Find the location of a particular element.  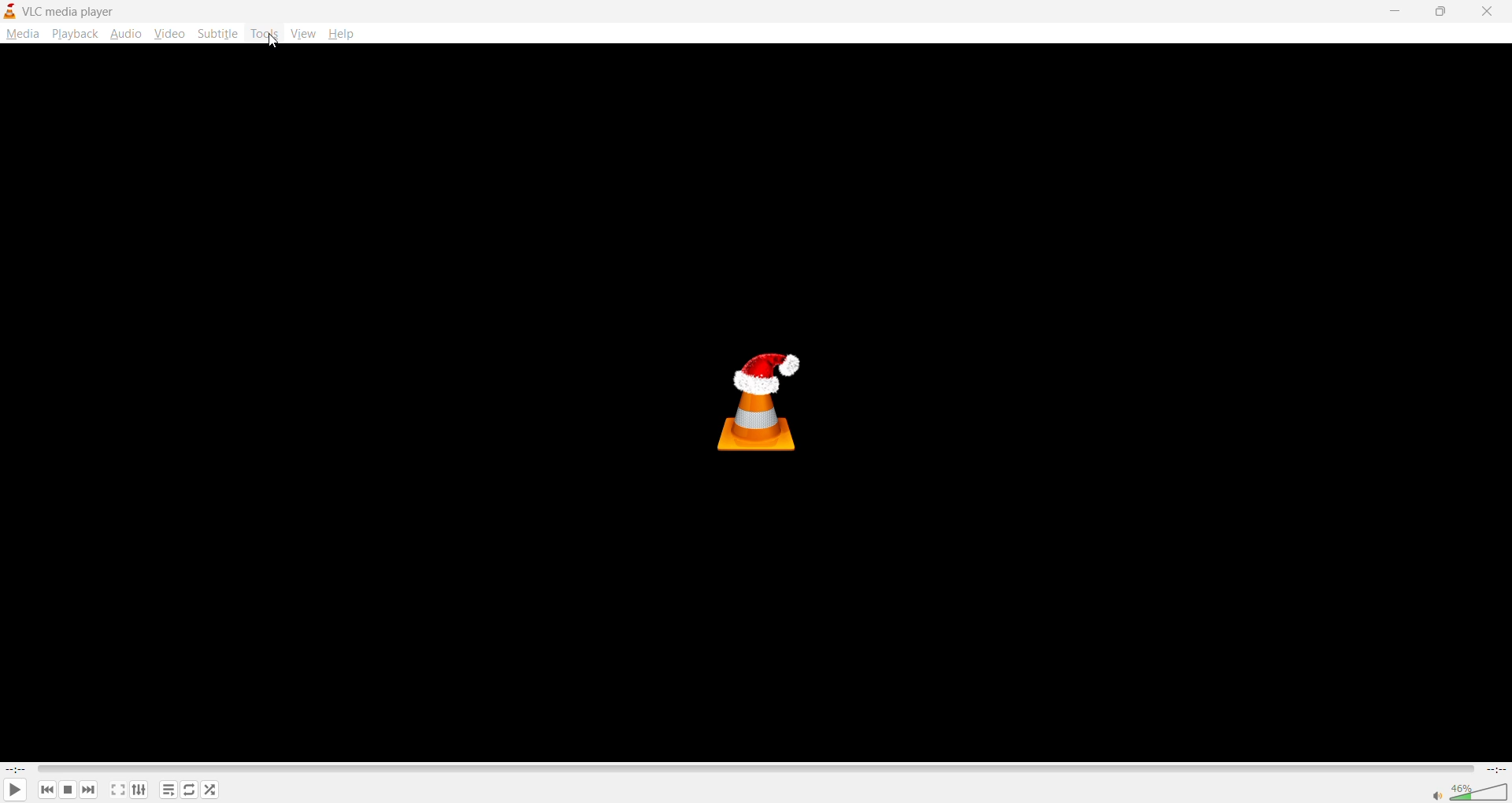

loop is located at coordinates (190, 790).